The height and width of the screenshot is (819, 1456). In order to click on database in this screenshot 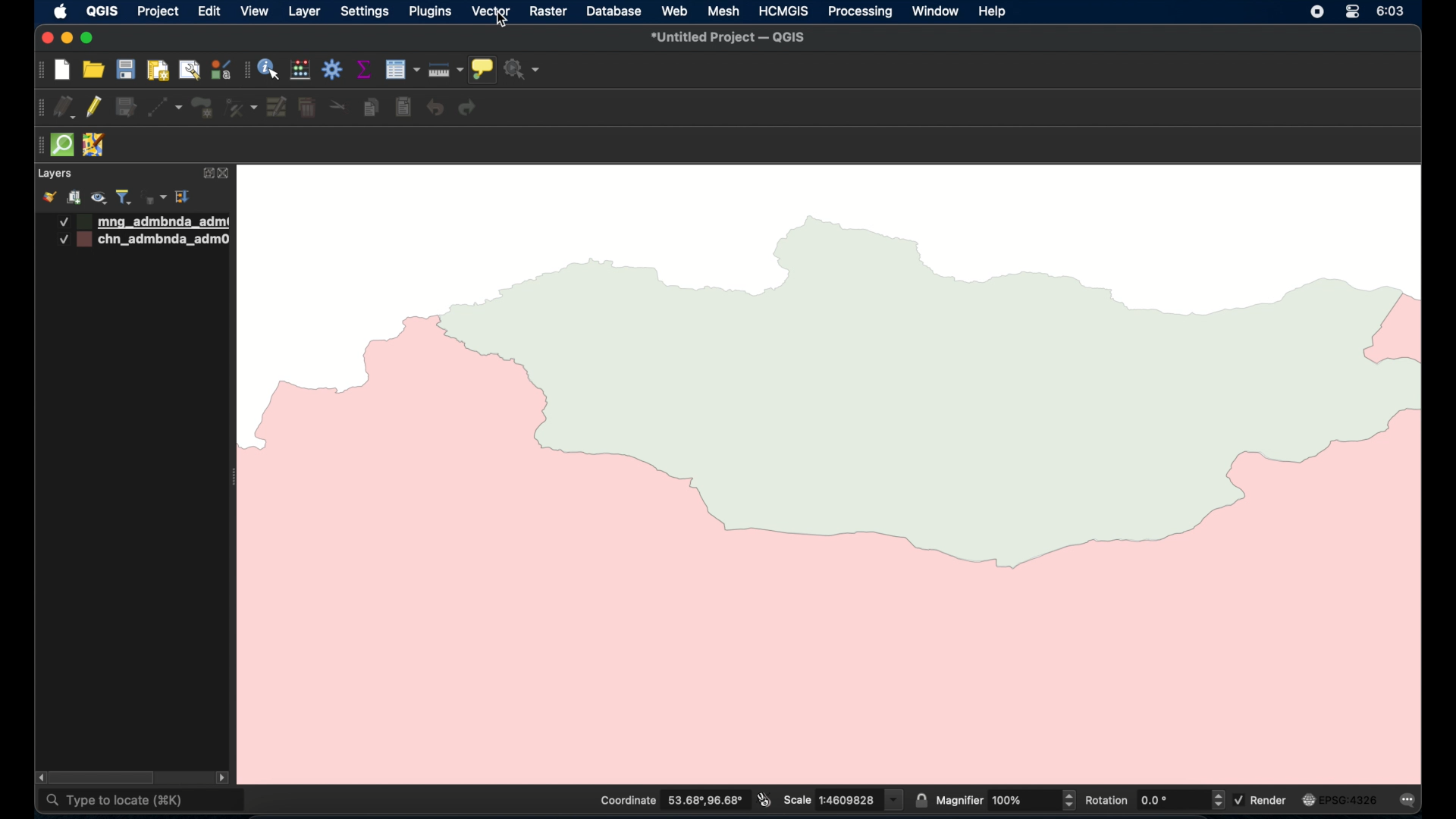, I will do `click(612, 13)`.